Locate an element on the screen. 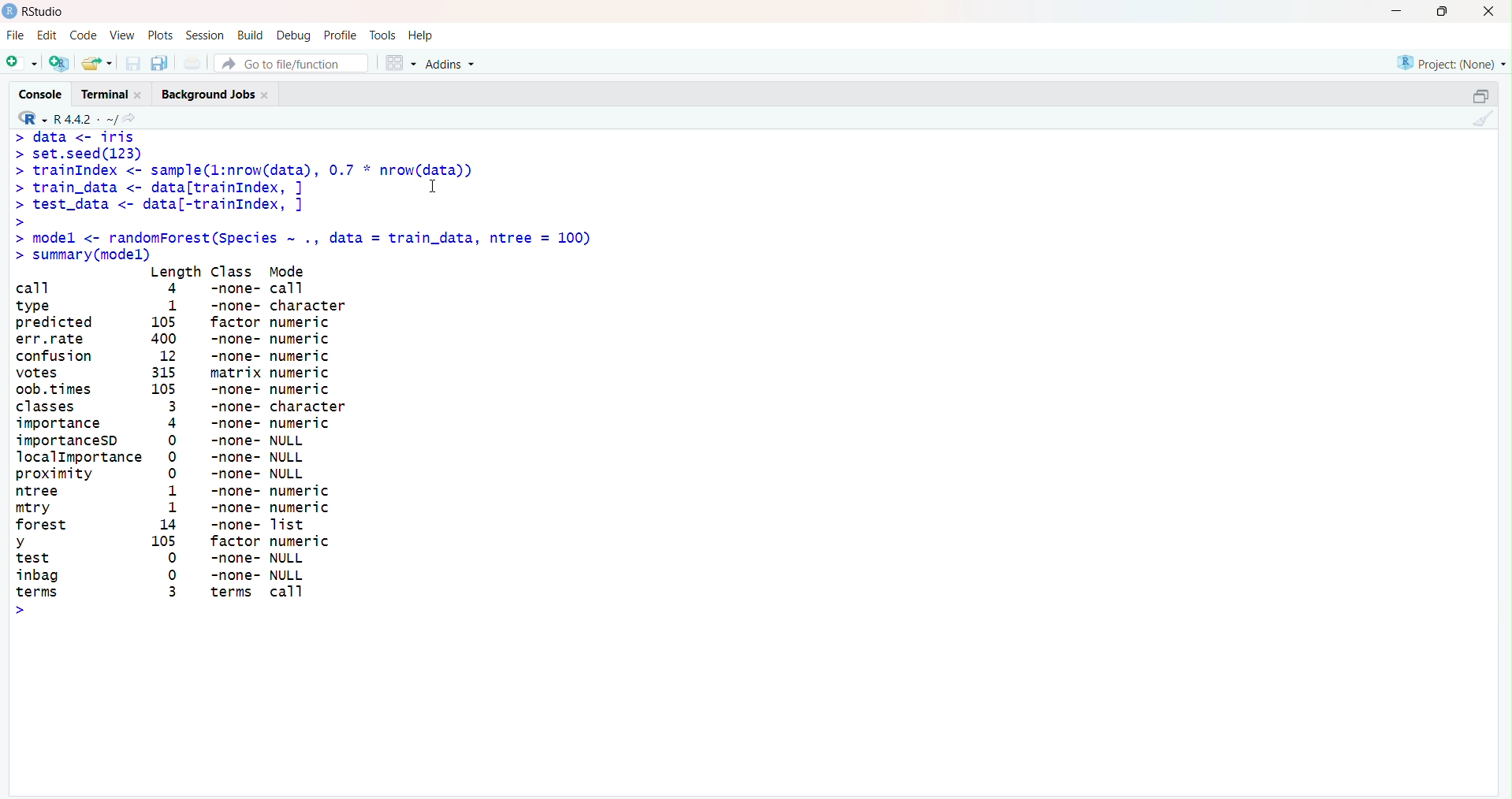 The width and height of the screenshot is (1512, 799). Prompt cursor is located at coordinates (17, 171).